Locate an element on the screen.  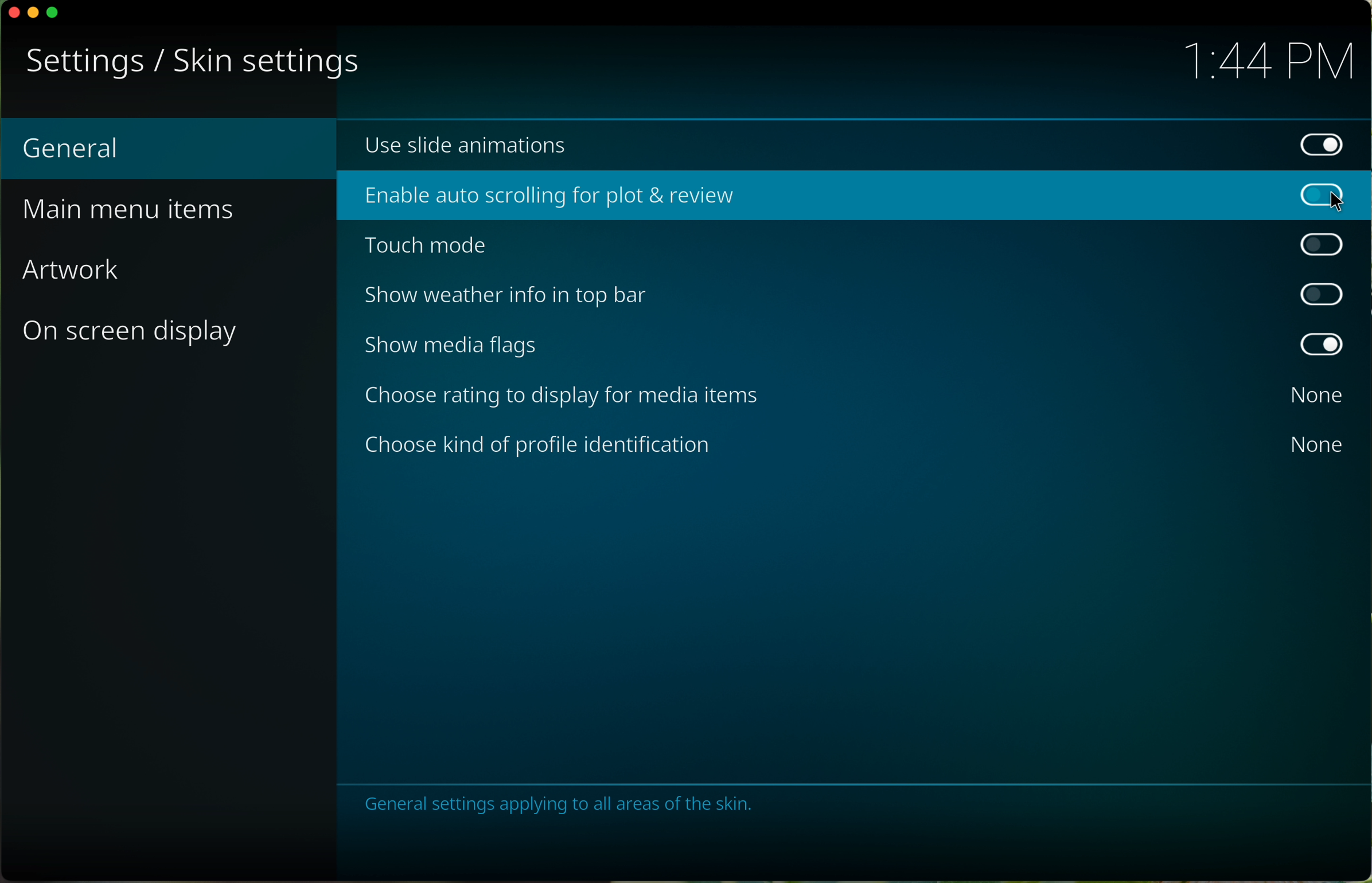
click on enable auto scrolling for plot & review is located at coordinates (856, 196).